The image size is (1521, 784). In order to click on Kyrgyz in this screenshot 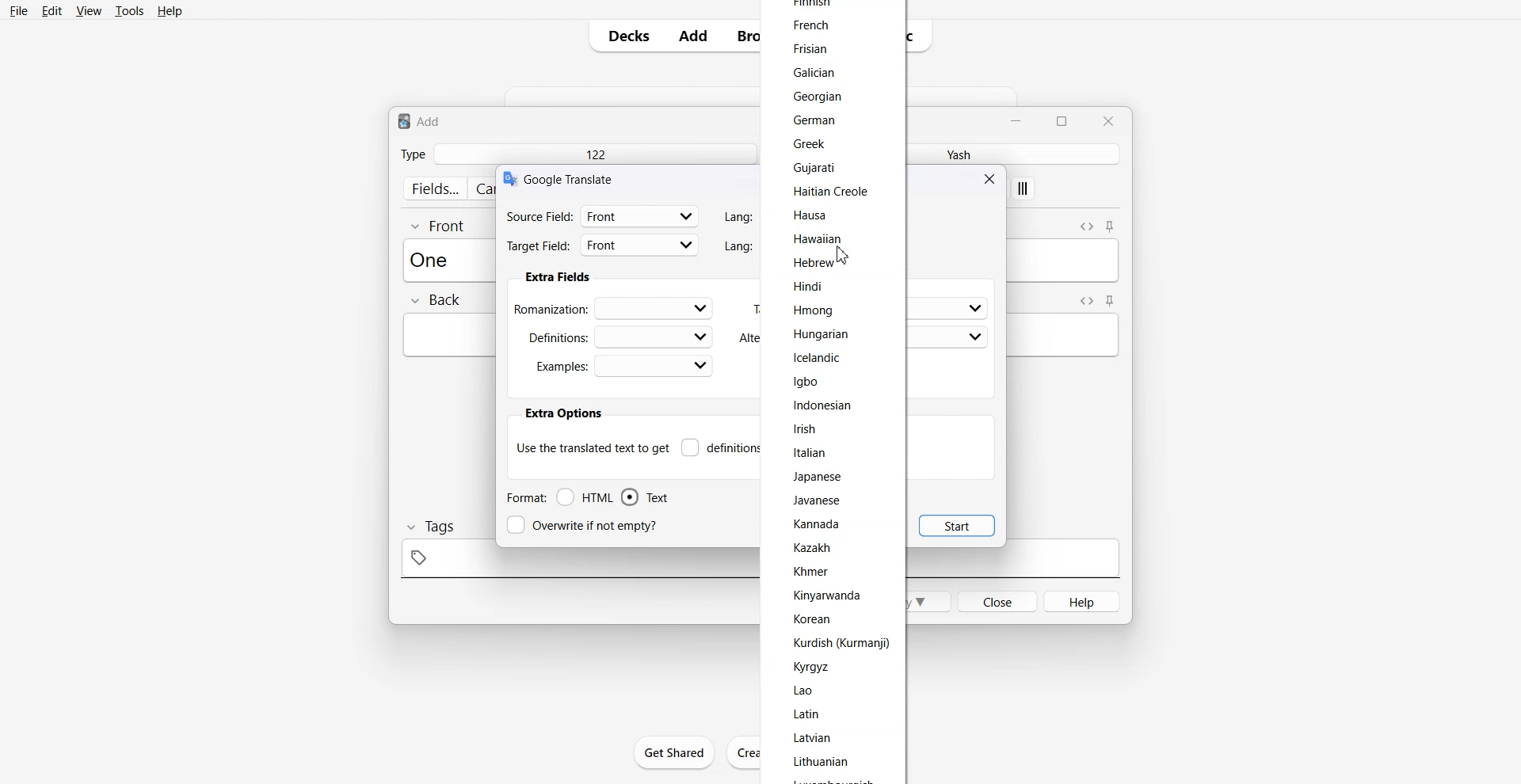, I will do `click(811, 667)`.